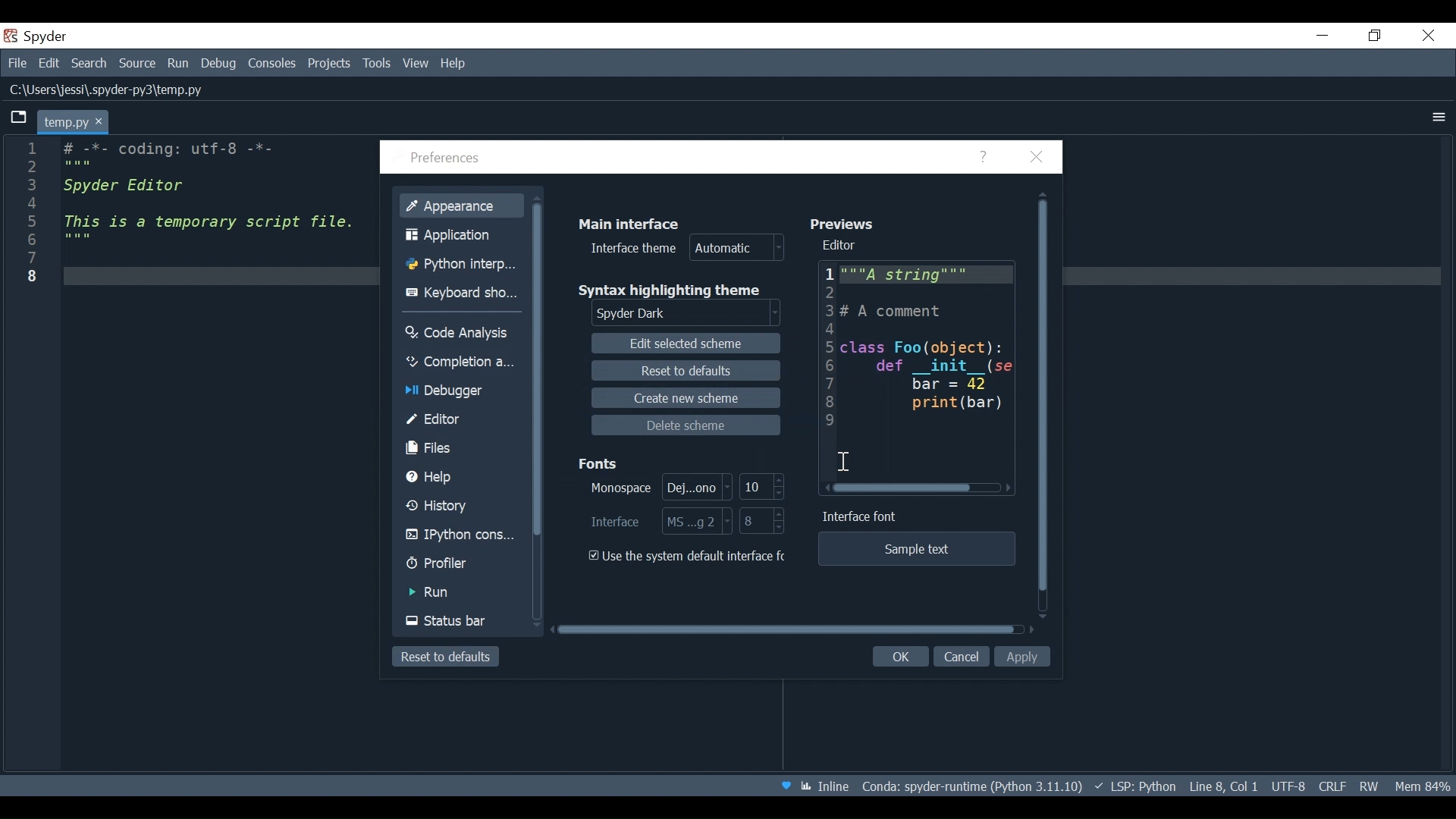 Image resolution: width=1456 pixels, height=819 pixels. What do you see at coordinates (985, 158) in the screenshot?
I see `Help` at bounding box center [985, 158].